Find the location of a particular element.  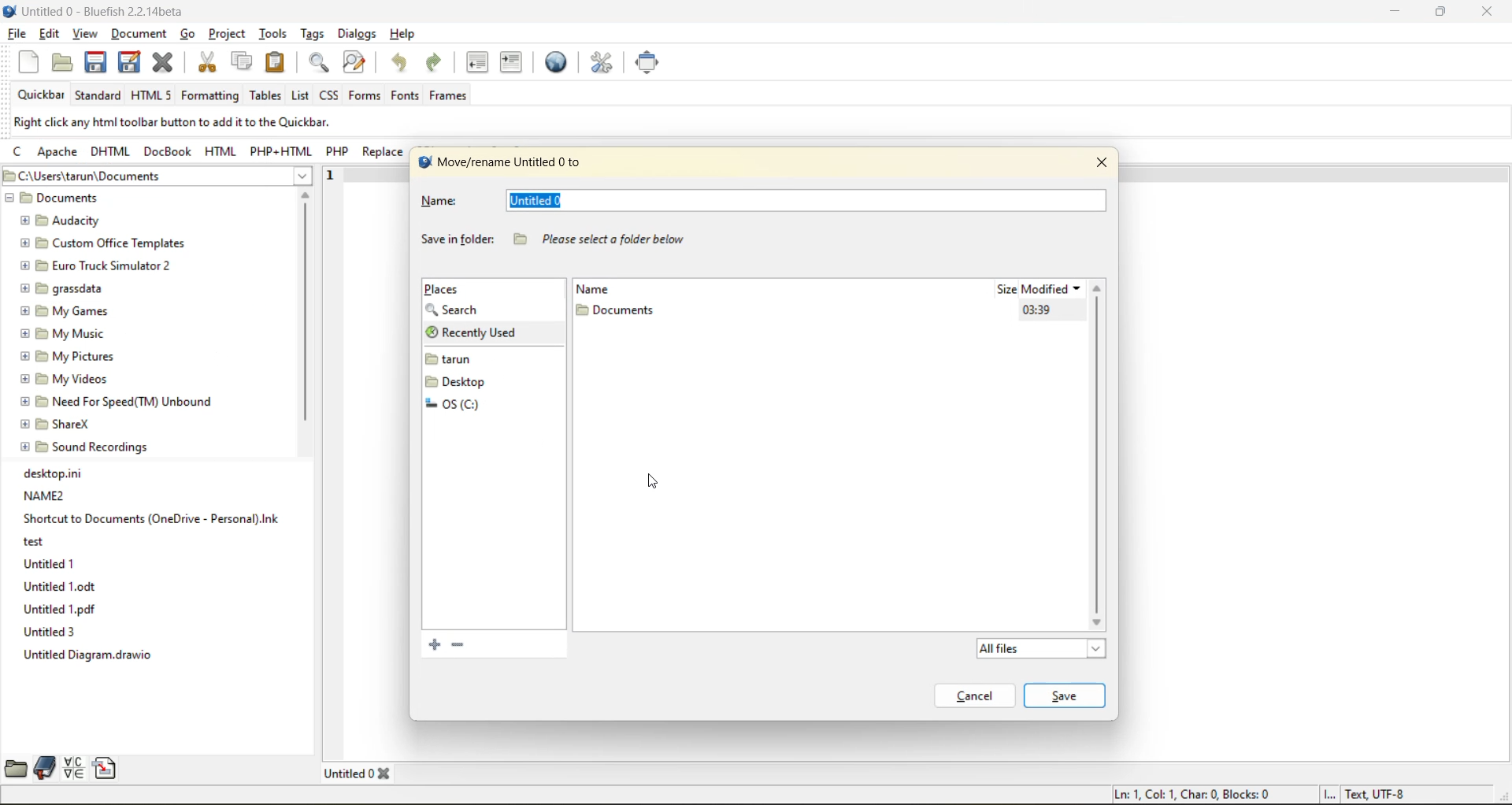

My pictures is located at coordinates (65, 358).